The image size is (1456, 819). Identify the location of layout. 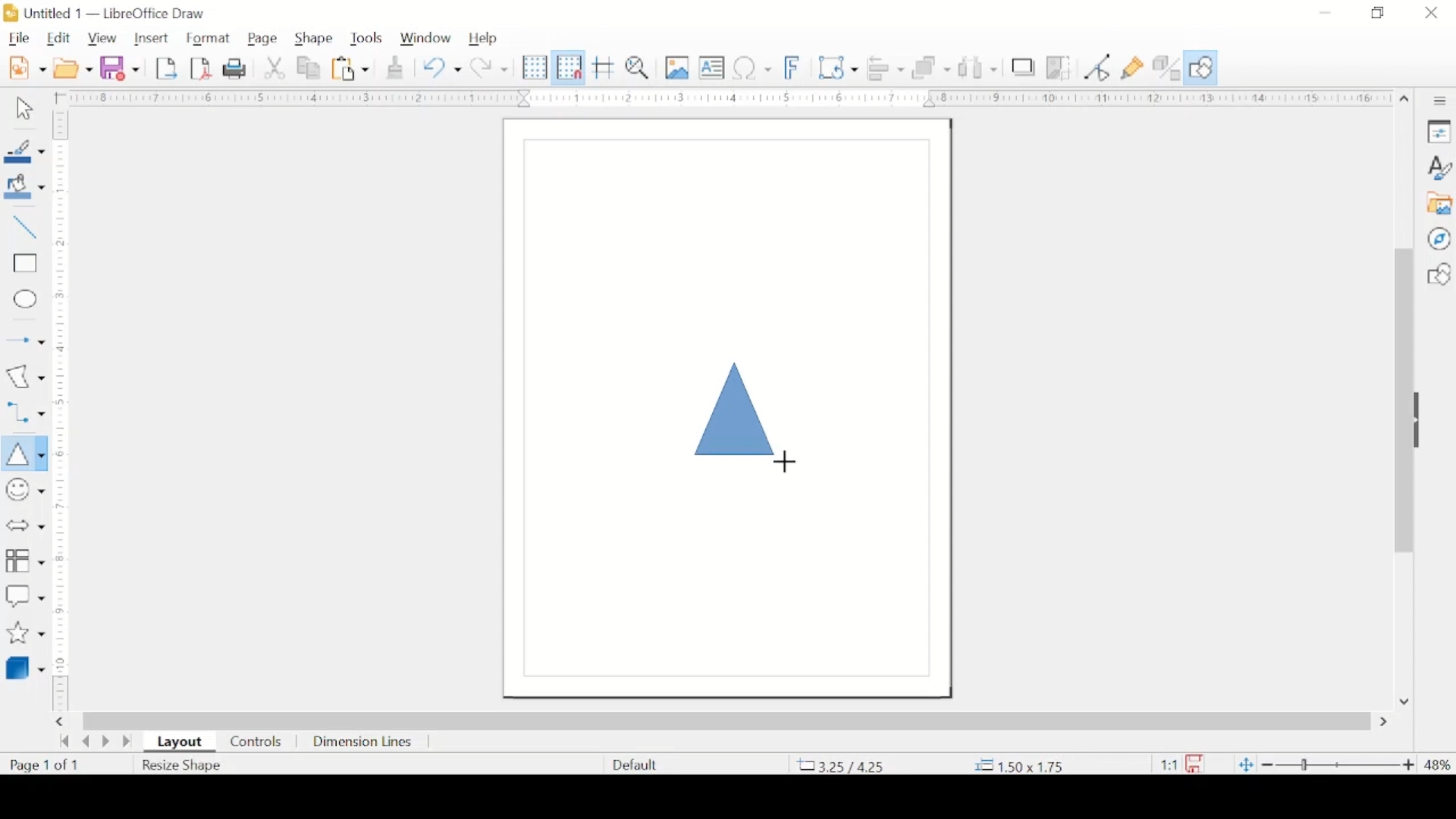
(179, 742).